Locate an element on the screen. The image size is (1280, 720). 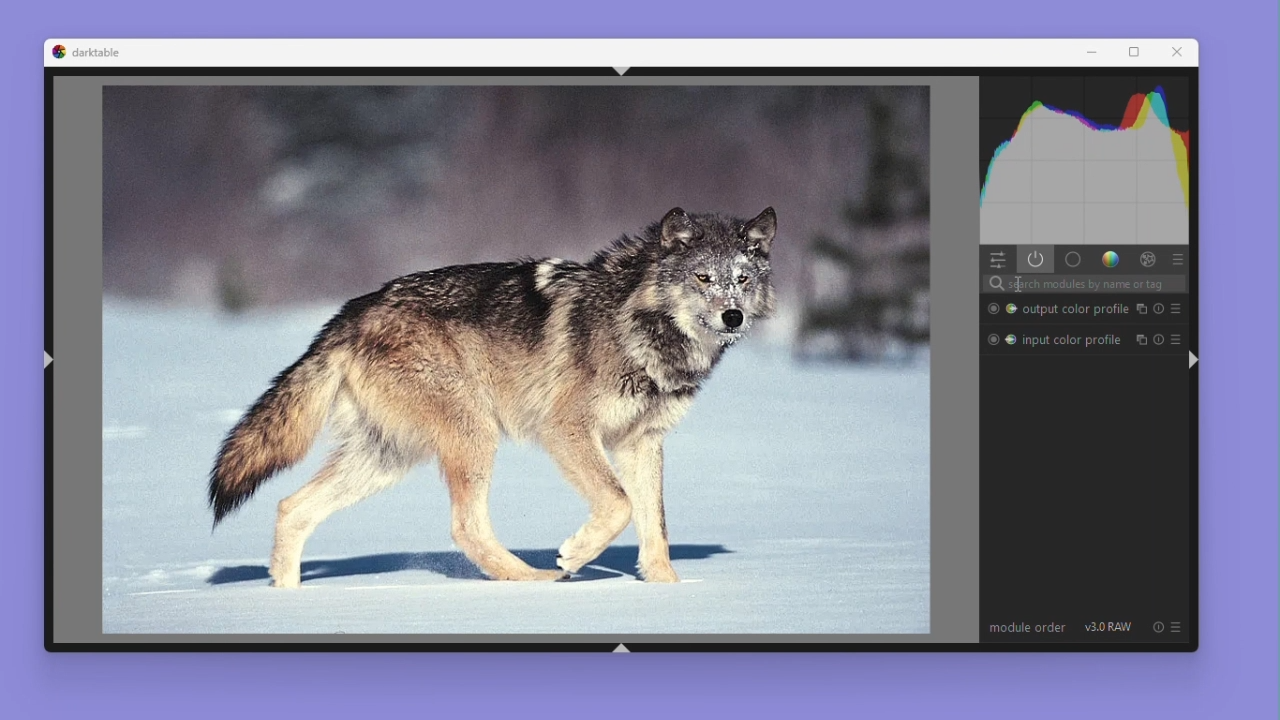
Waveform is located at coordinates (1086, 163).